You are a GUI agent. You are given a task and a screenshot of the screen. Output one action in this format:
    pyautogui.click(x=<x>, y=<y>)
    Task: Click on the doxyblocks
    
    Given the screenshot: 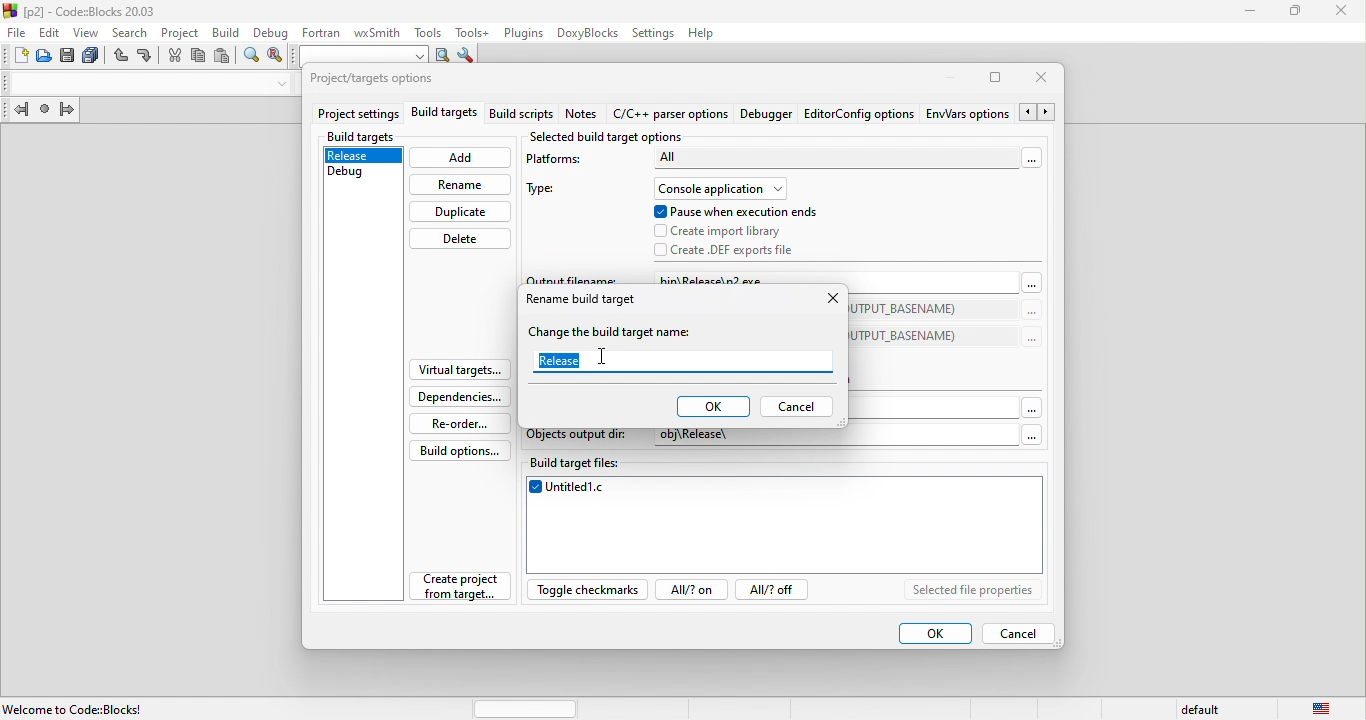 What is the action you would take?
    pyautogui.click(x=584, y=33)
    